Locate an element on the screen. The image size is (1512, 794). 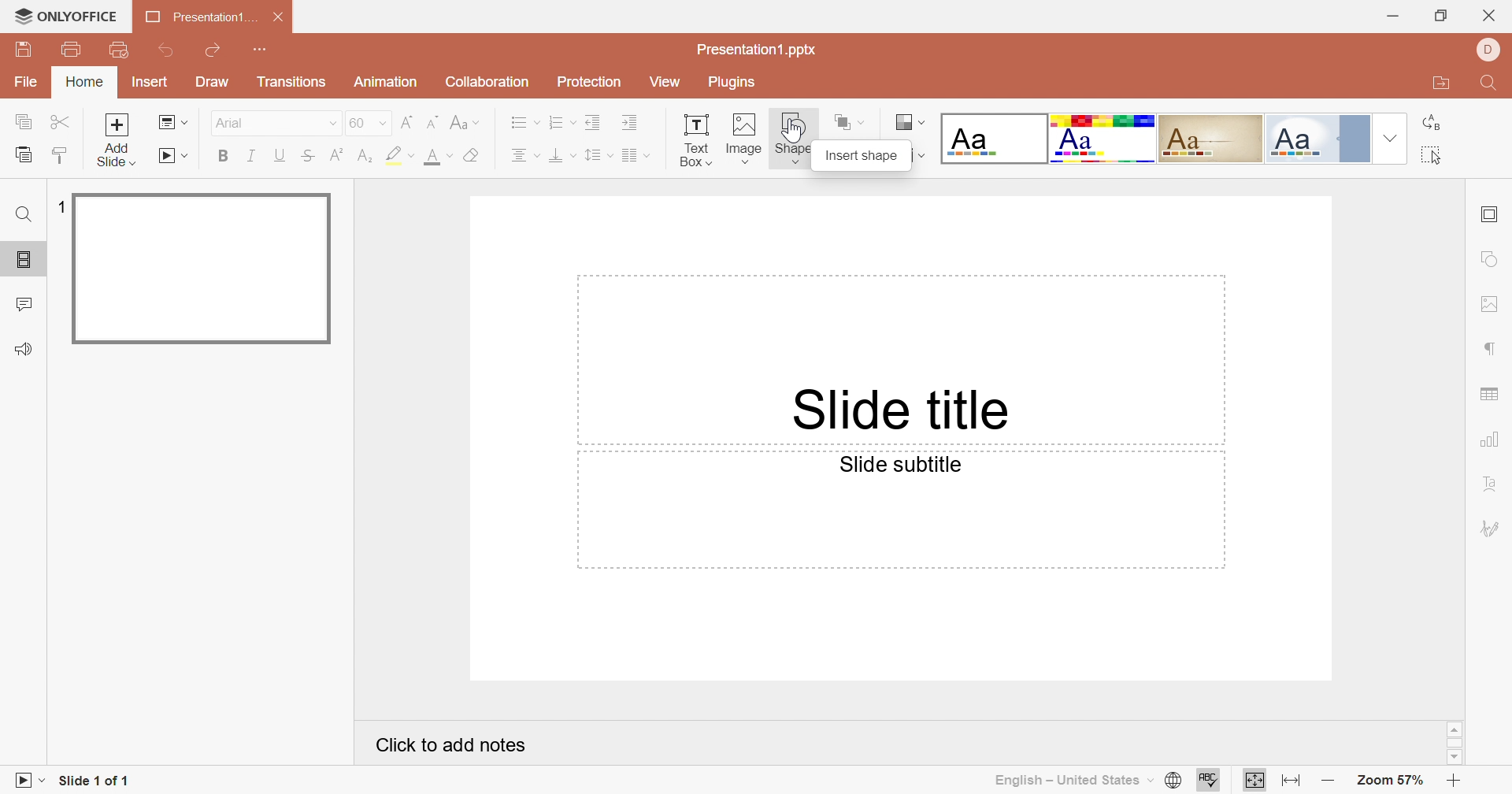
Fit to width is located at coordinates (1292, 780).